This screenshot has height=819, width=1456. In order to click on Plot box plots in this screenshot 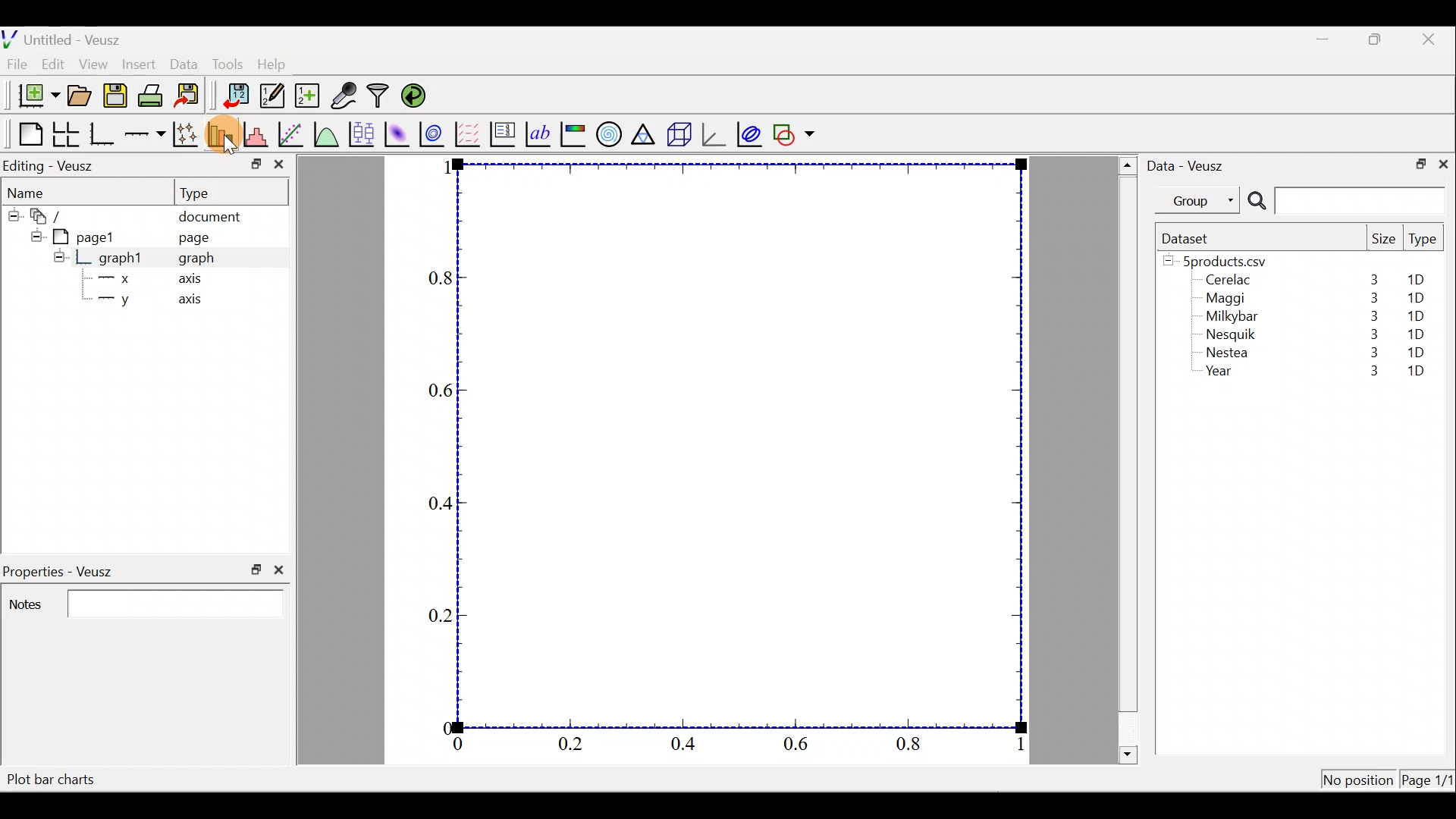, I will do `click(363, 133)`.